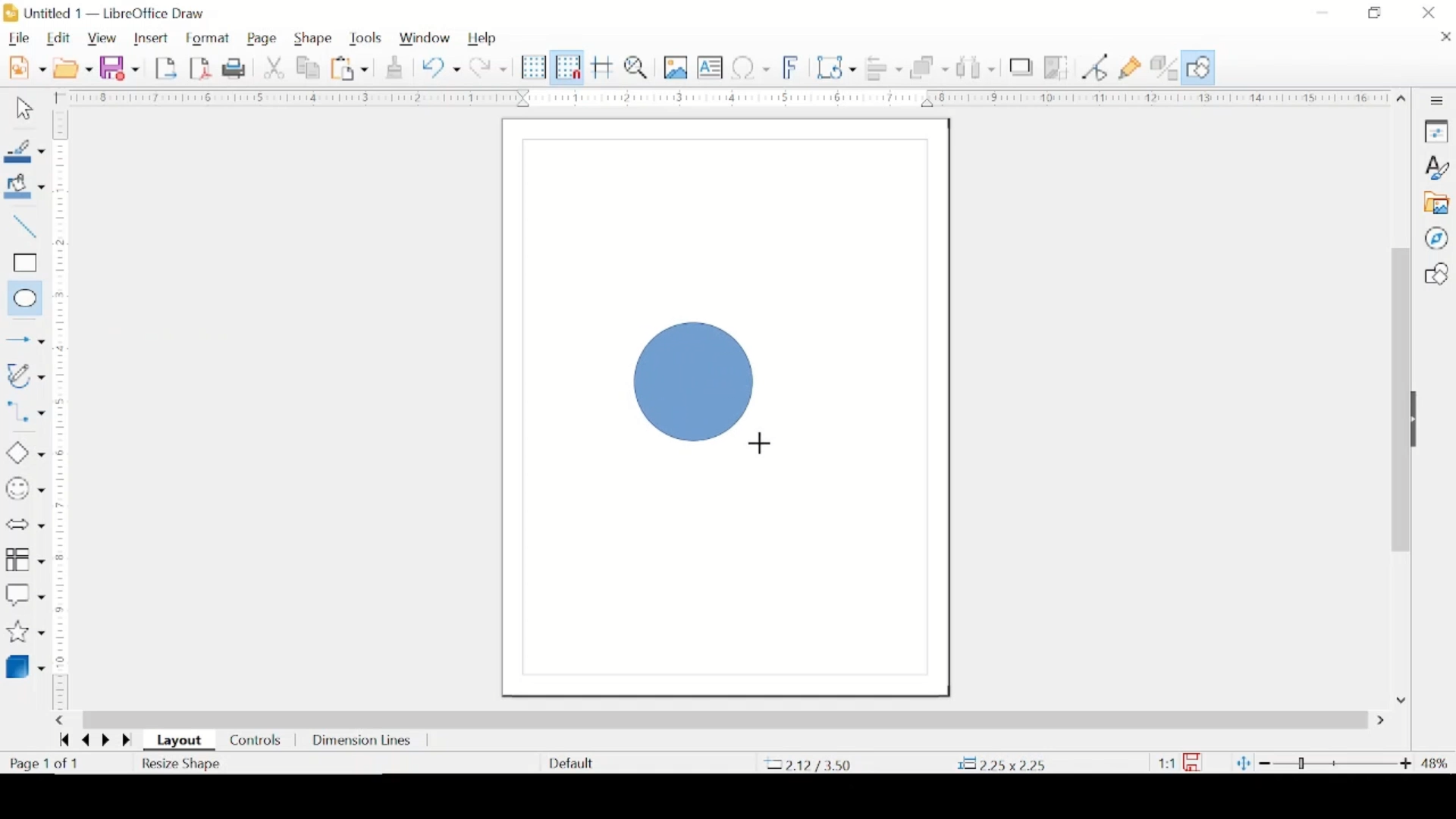  What do you see at coordinates (63, 212) in the screenshot?
I see `margin` at bounding box center [63, 212].